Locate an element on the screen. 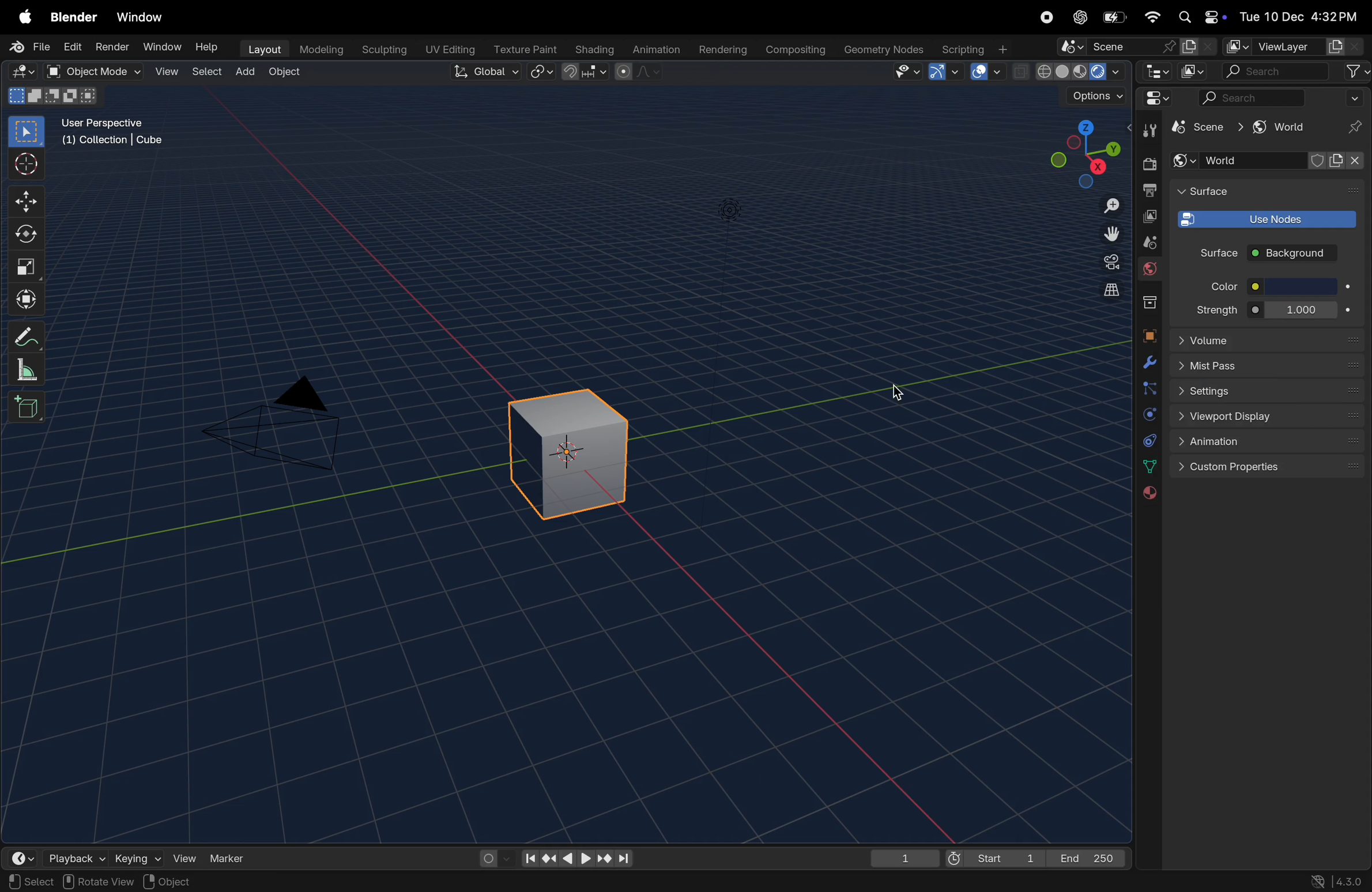  select is located at coordinates (28, 132).